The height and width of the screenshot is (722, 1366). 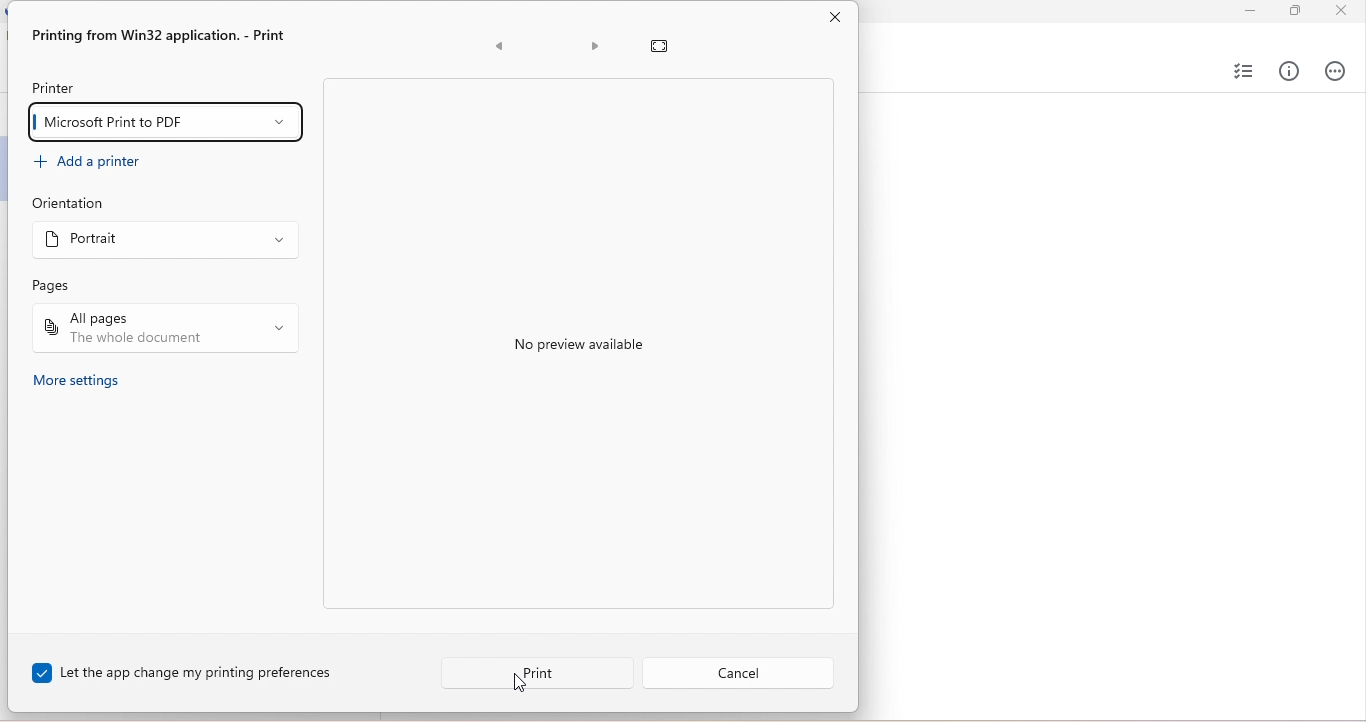 What do you see at coordinates (1293, 9) in the screenshot?
I see `maximize` at bounding box center [1293, 9].